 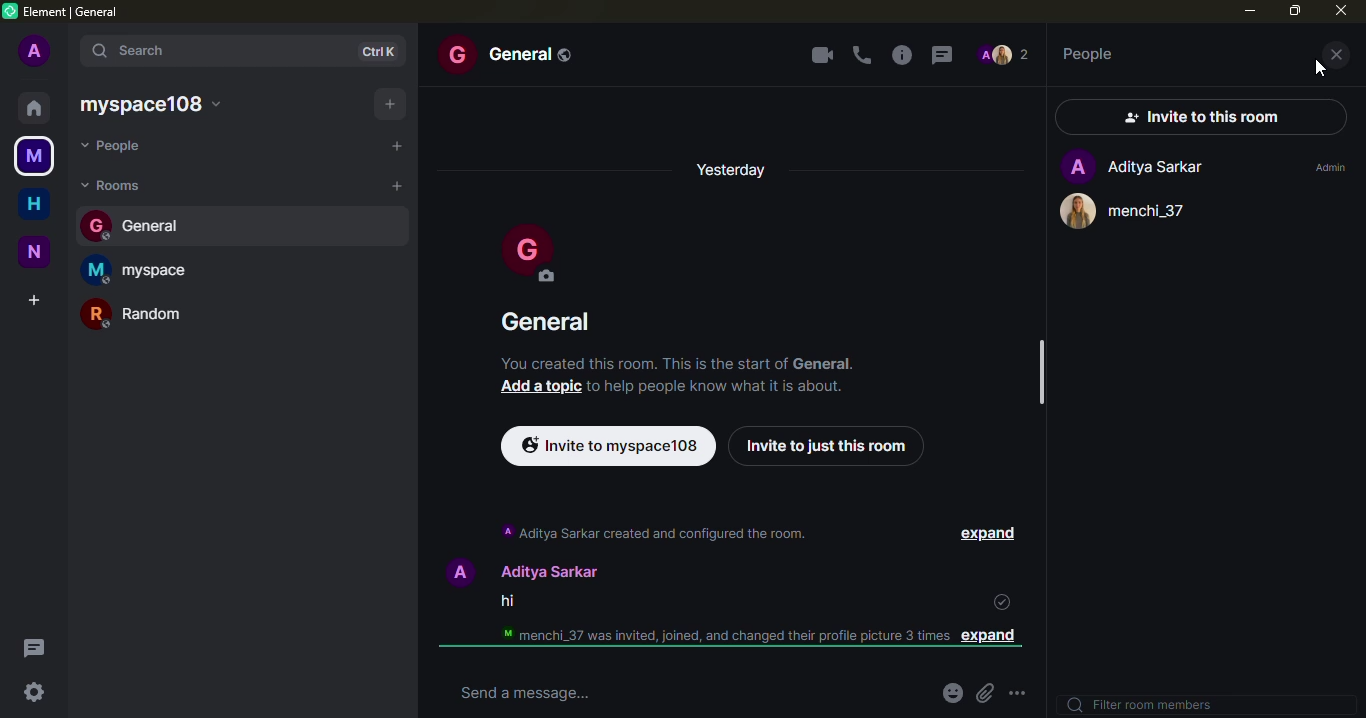 I want to click on to help people know what it is about., so click(x=717, y=386).